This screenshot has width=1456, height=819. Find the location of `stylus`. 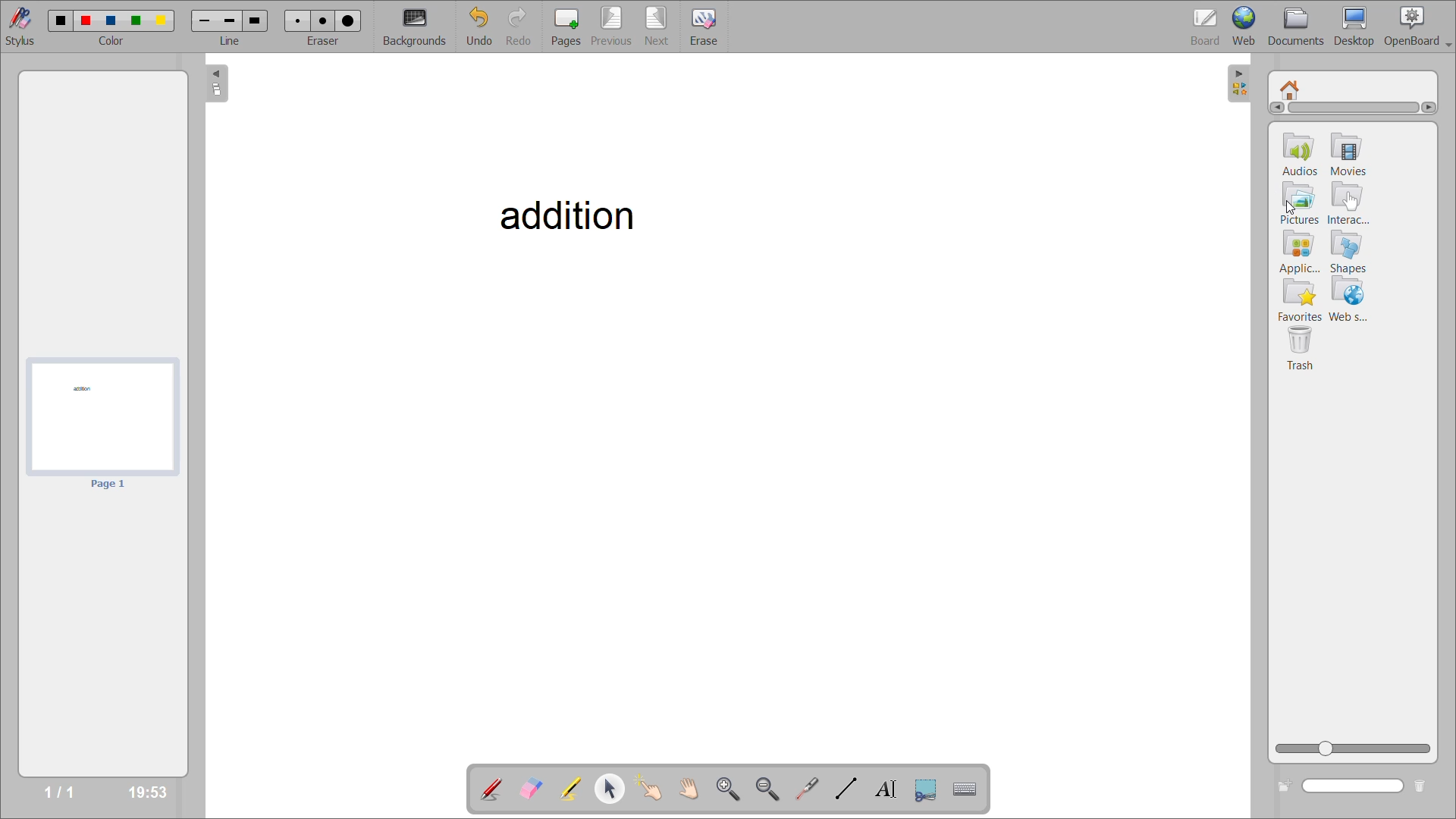

stylus is located at coordinates (18, 24).